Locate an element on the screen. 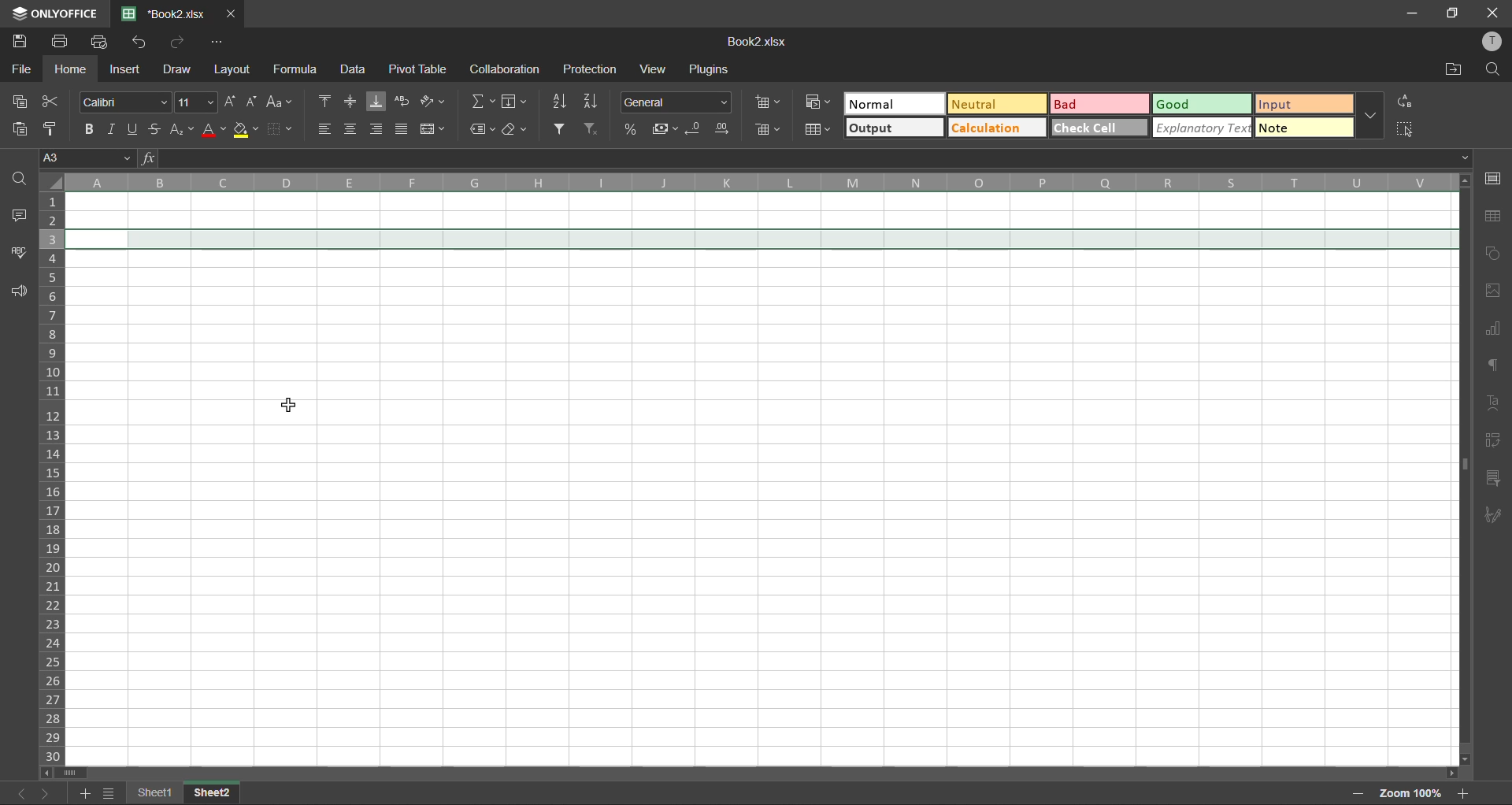  quick print is located at coordinates (101, 42).